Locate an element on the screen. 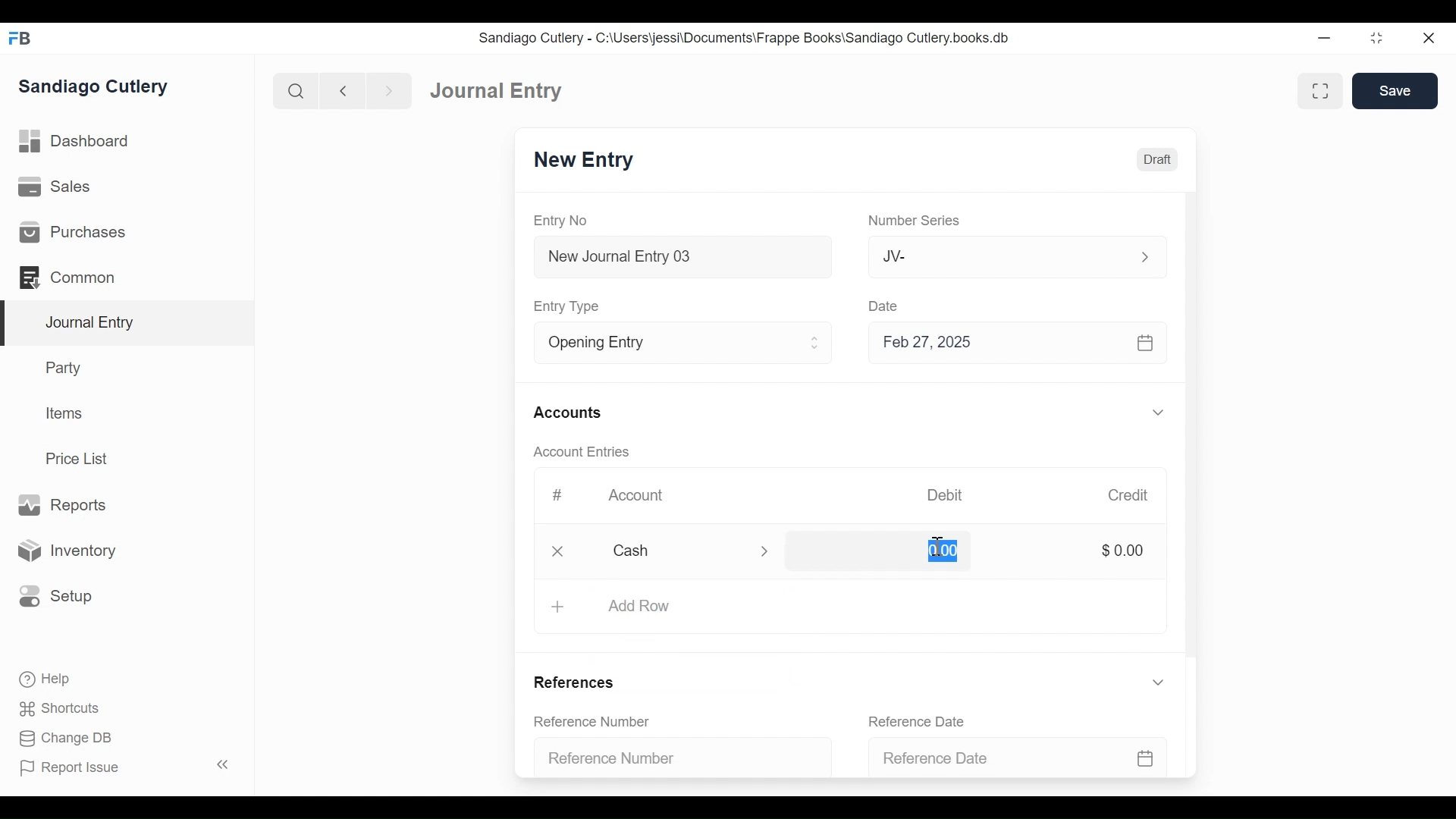  Restore is located at coordinates (1376, 37).